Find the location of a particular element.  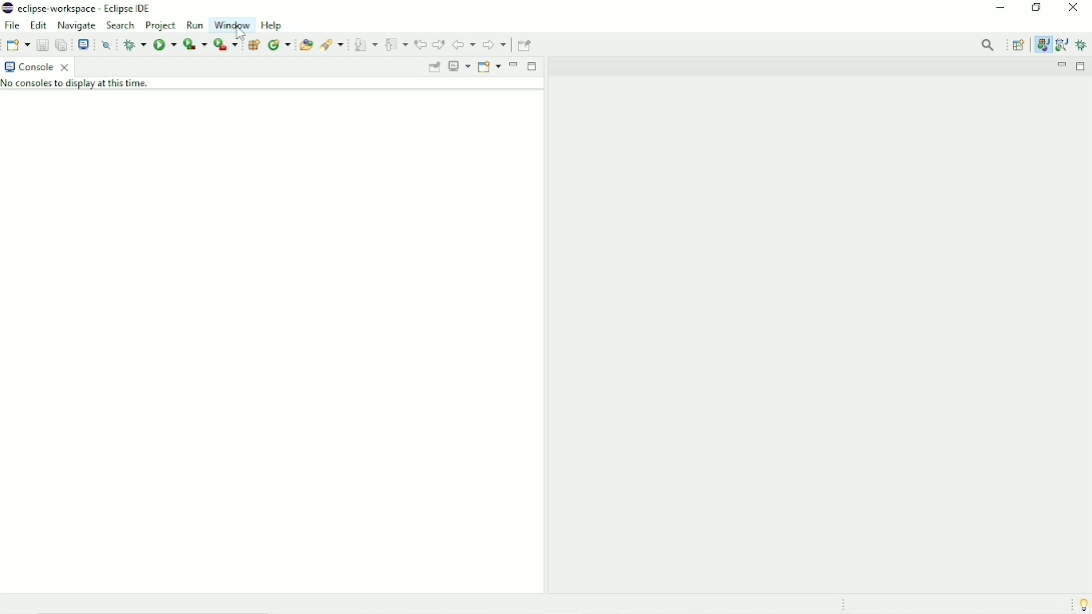

Debug is located at coordinates (134, 44).